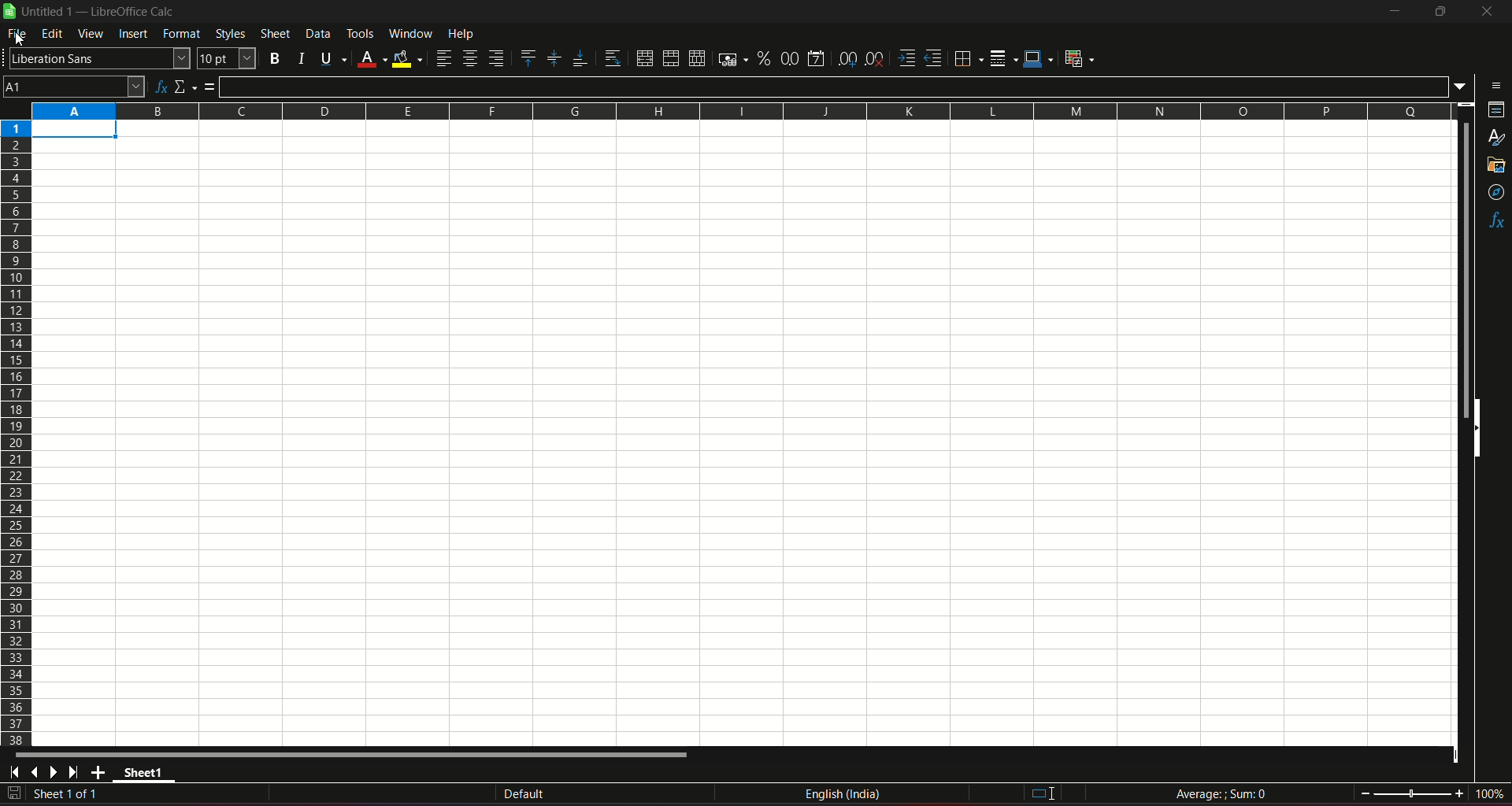  Describe the element at coordinates (98, 59) in the screenshot. I see `font styles` at that location.